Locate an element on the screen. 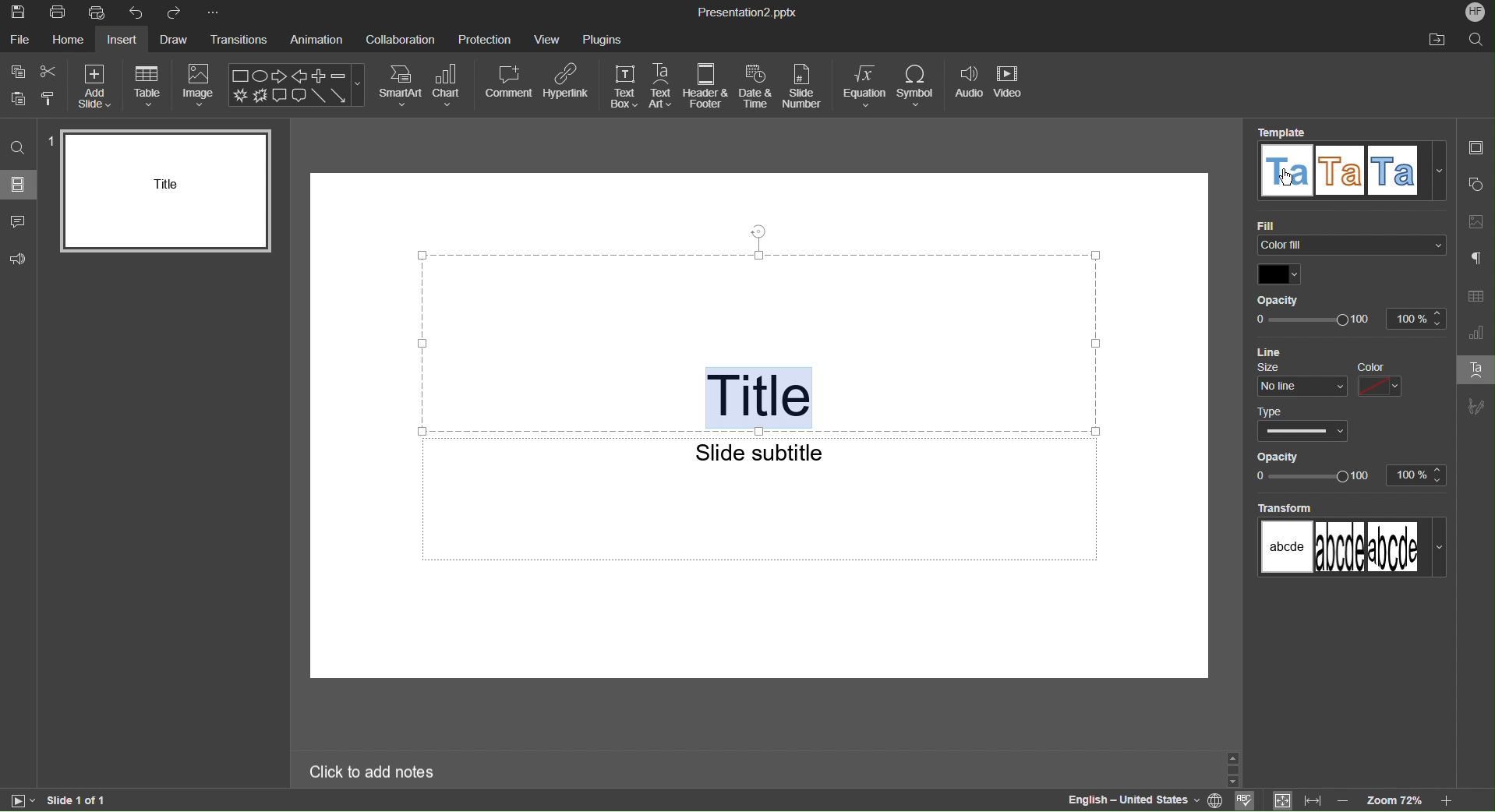 Image resolution: width=1495 pixels, height=812 pixels. Transitions is located at coordinates (242, 40).